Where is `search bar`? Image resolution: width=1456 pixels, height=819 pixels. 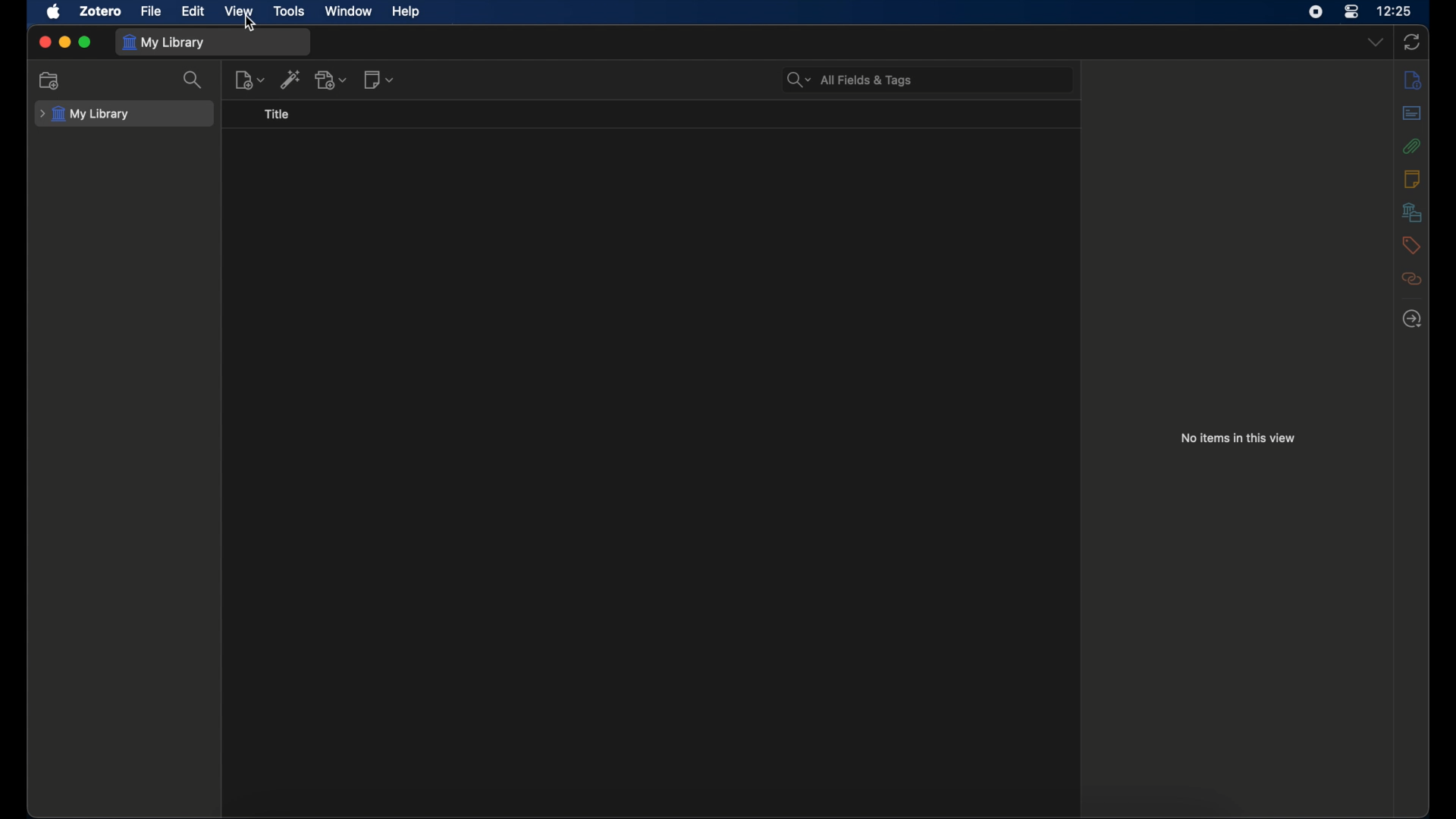
search bar is located at coordinates (849, 80).